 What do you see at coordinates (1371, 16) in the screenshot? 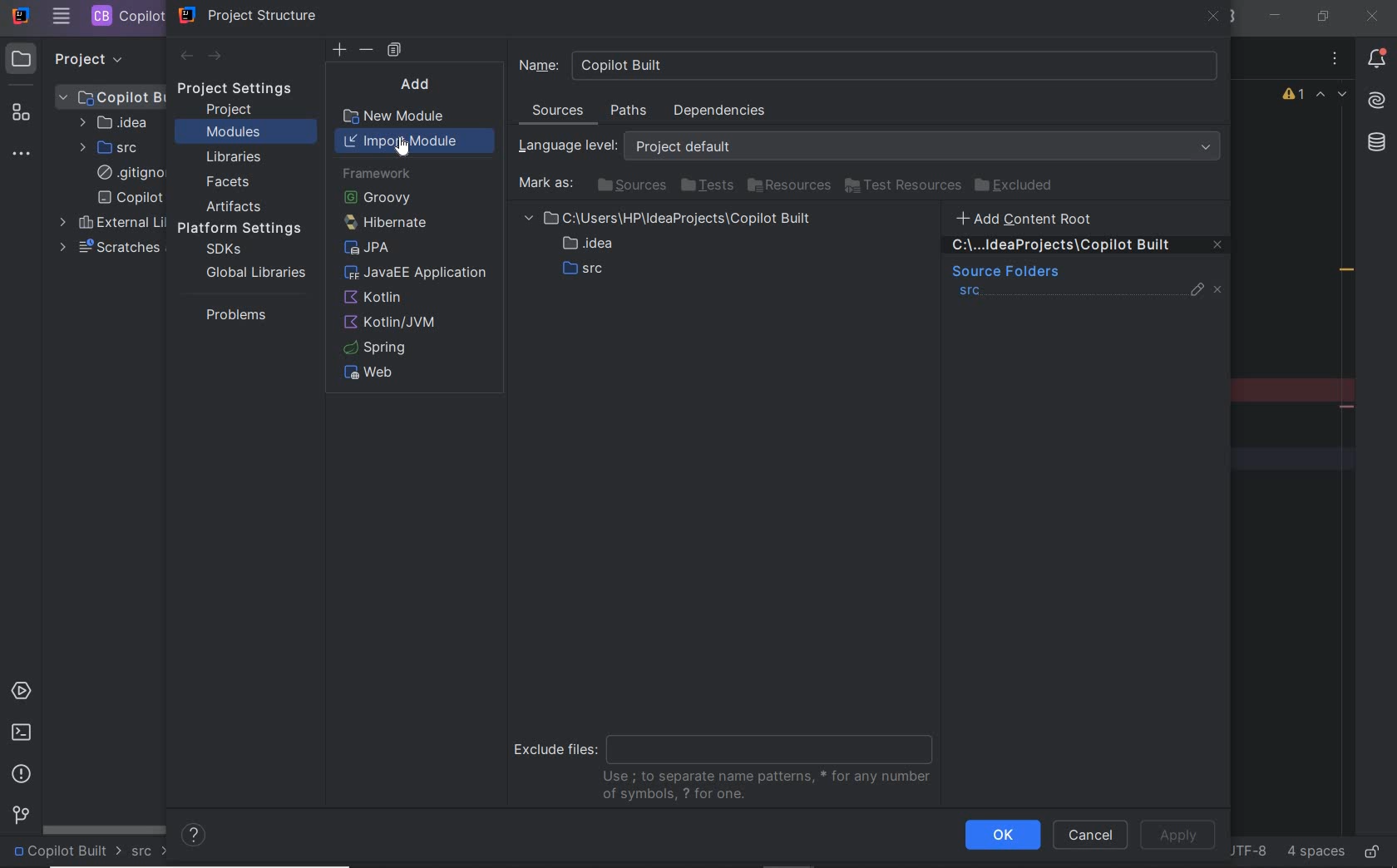
I see `close` at bounding box center [1371, 16].